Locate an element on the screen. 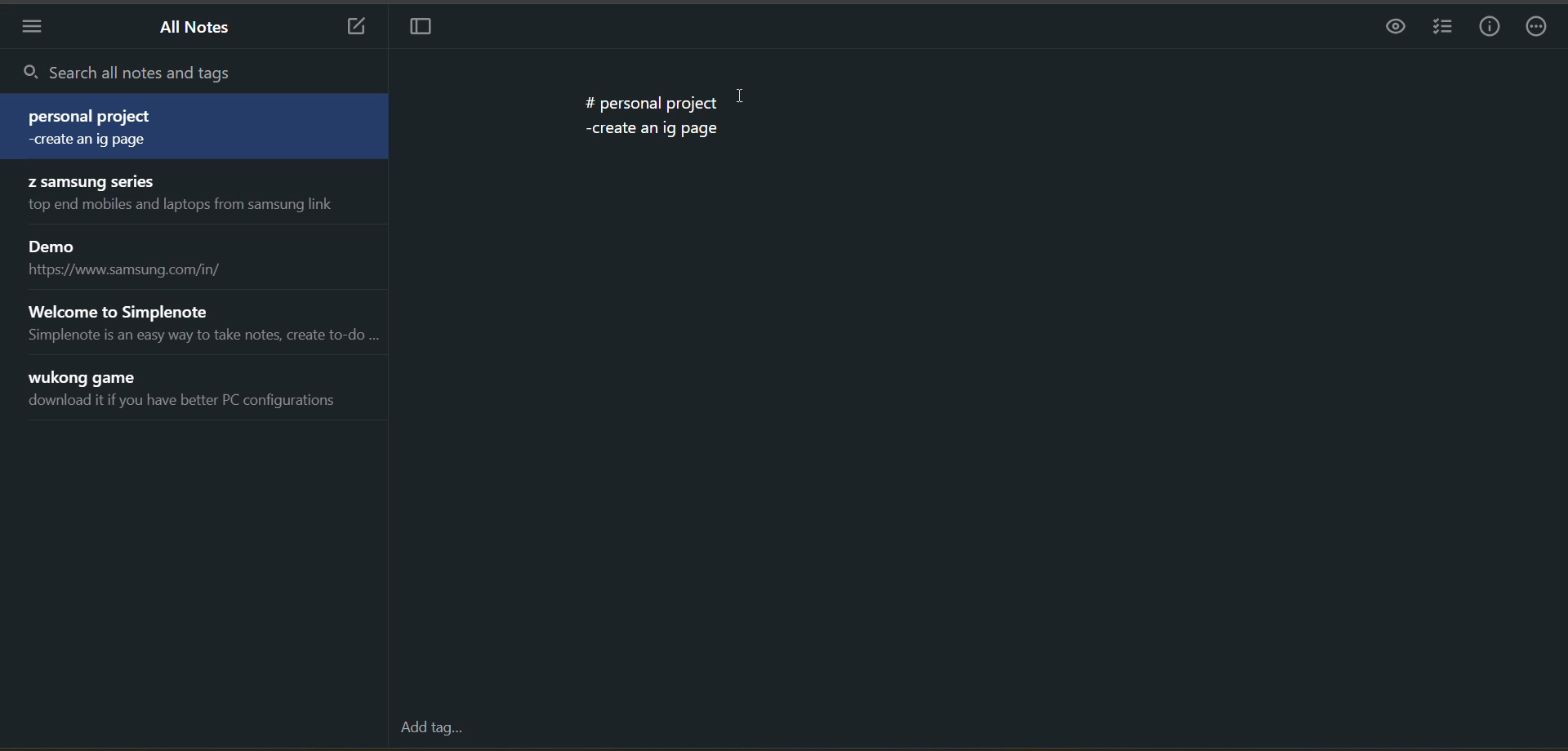 This screenshot has width=1568, height=751. search is located at coordinates (191, 71).